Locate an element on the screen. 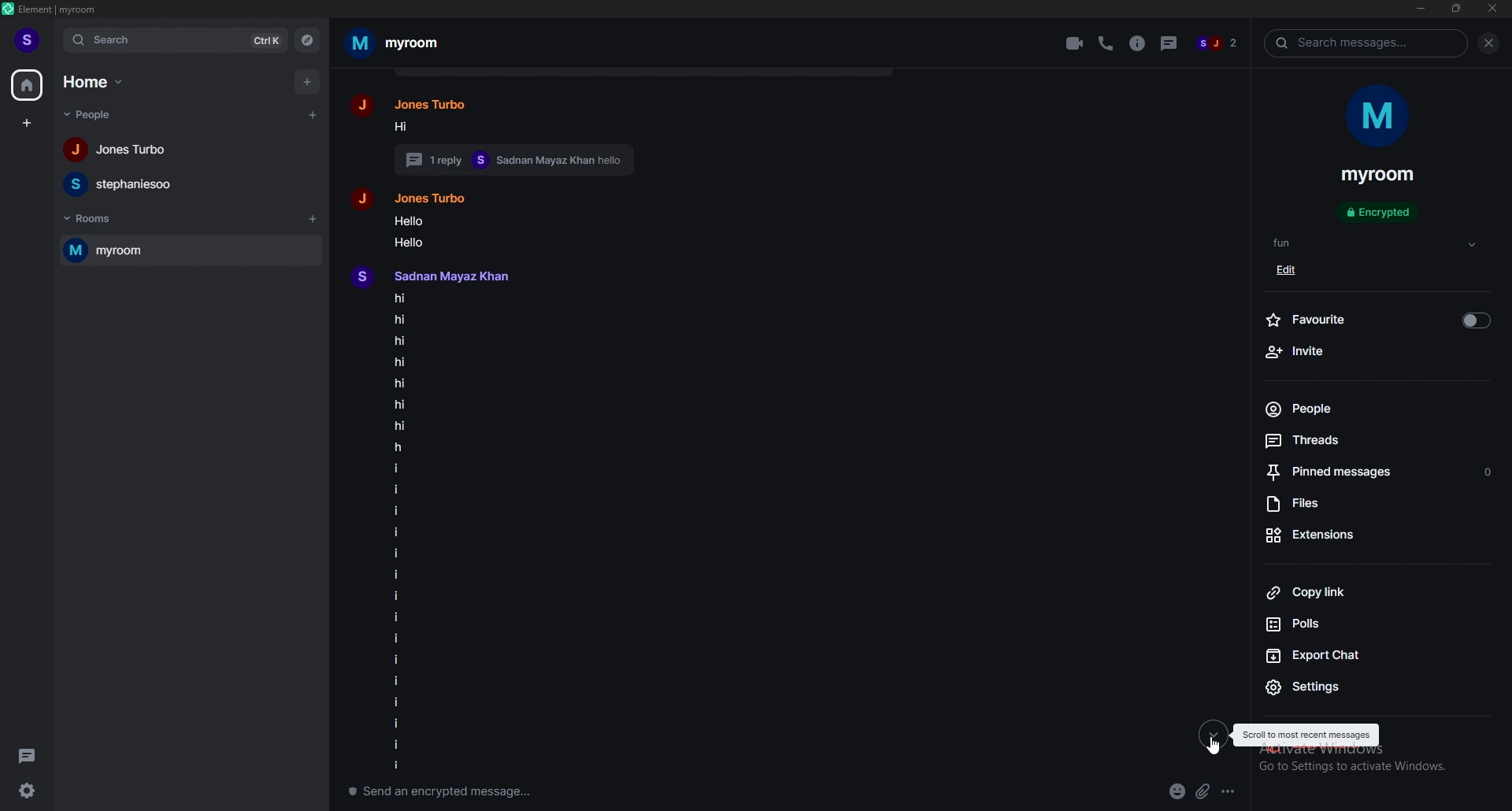  home is located at coordinates (27, 83).